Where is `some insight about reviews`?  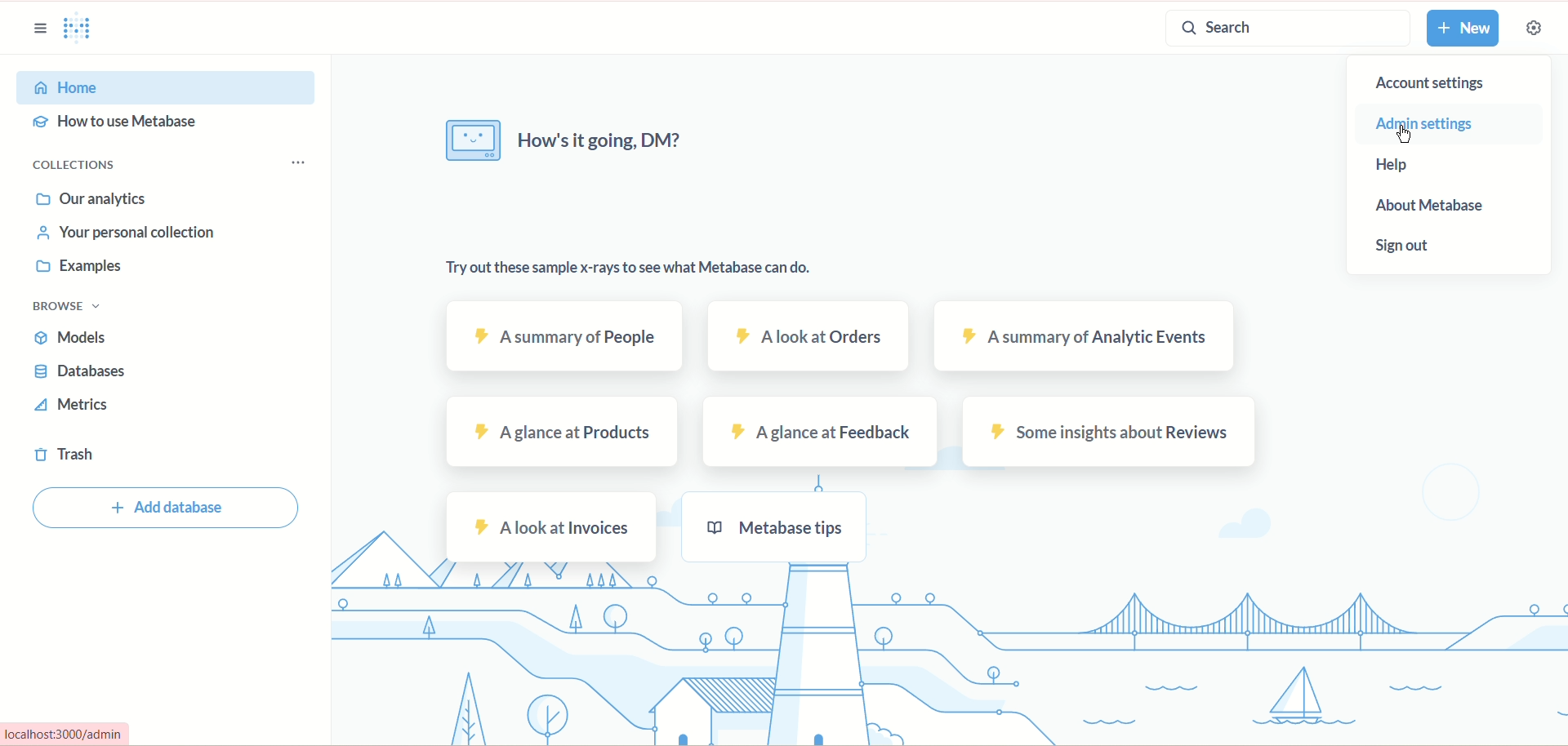
some insight about reviews is located at coordinates (1108, 432).